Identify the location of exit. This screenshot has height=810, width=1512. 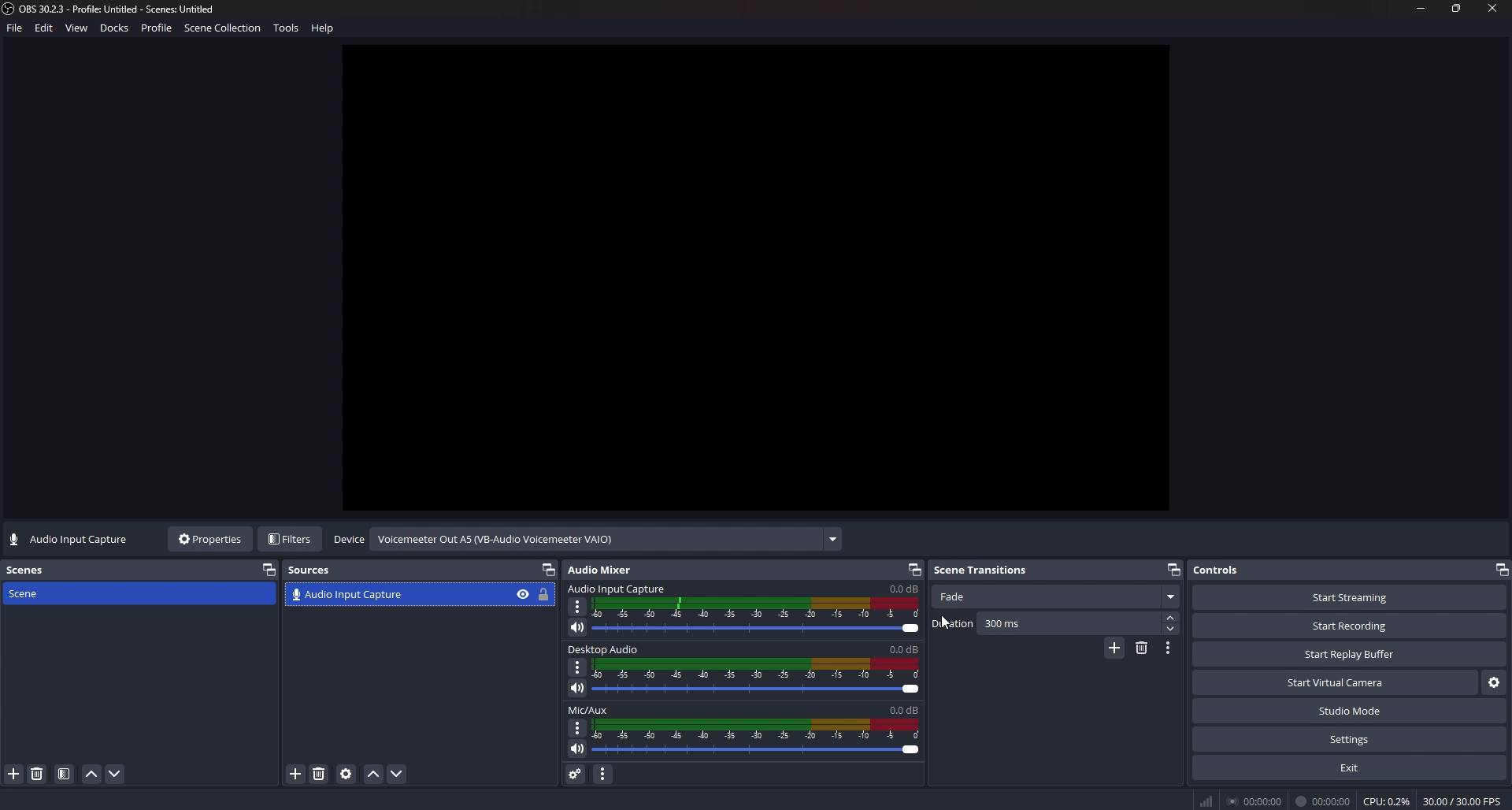
(1349, 767).